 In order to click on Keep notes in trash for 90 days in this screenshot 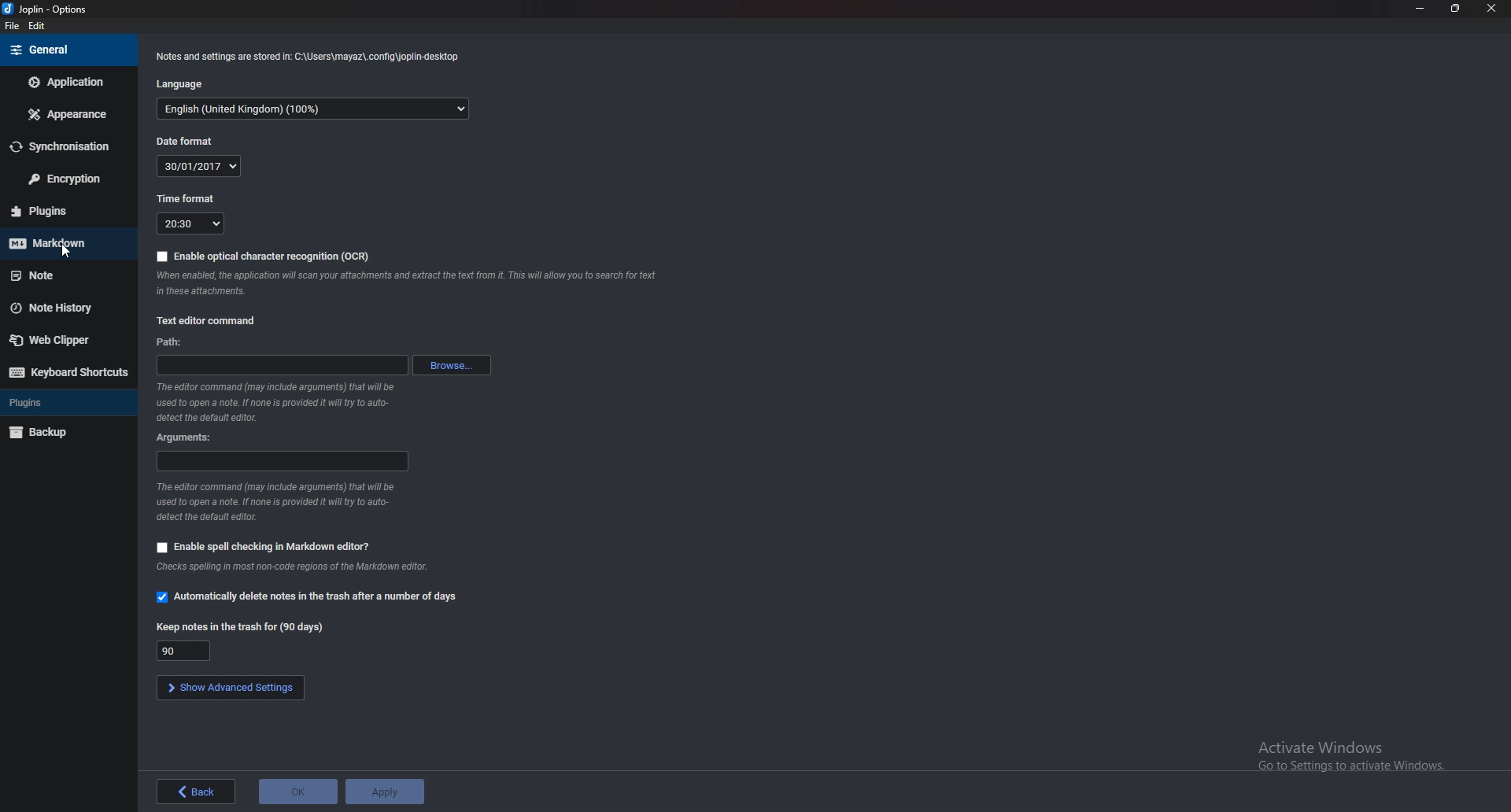, I will do `click(184, 649)`.